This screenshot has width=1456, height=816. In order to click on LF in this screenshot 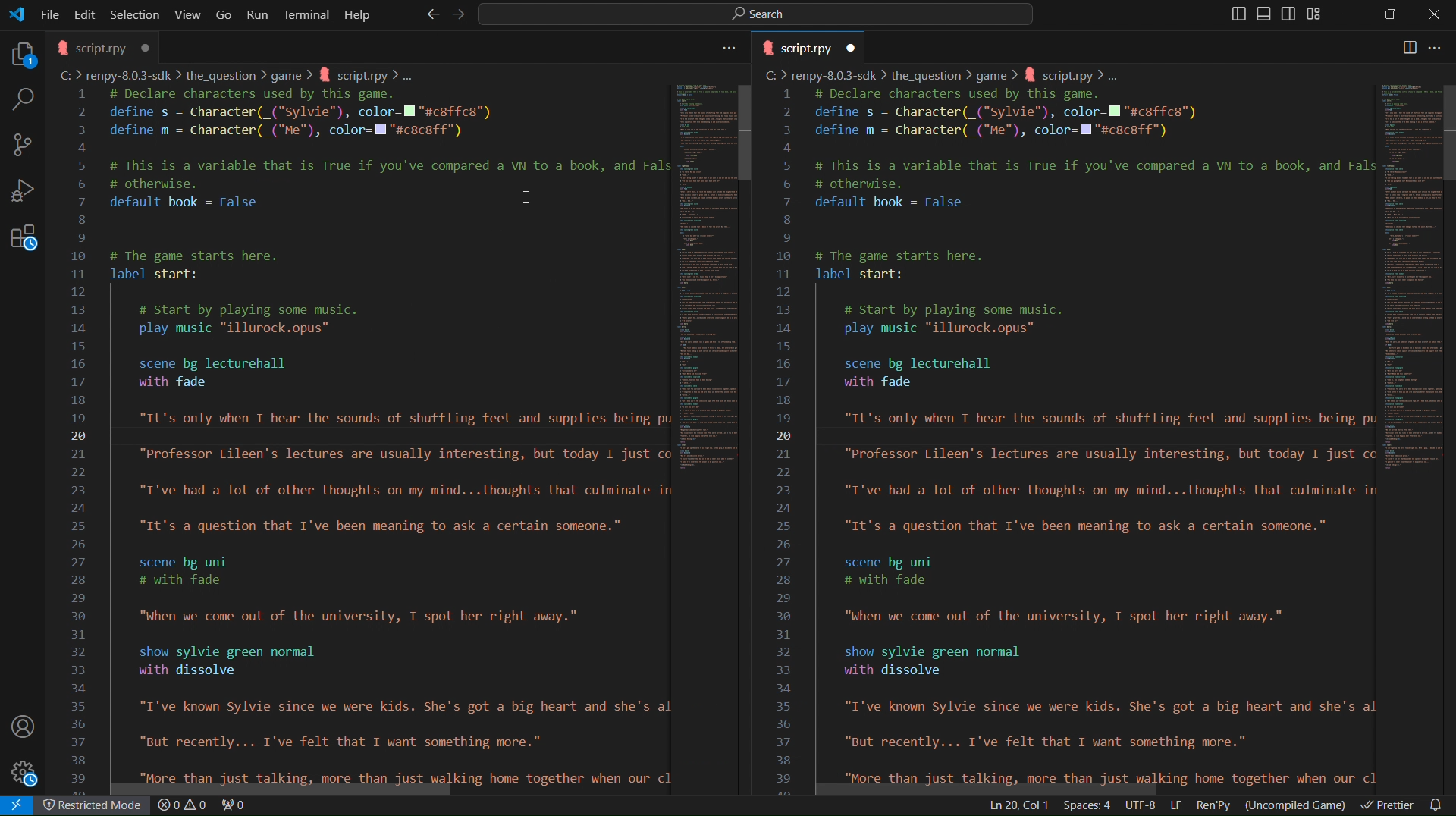, I will do `click(1176, 805)`.